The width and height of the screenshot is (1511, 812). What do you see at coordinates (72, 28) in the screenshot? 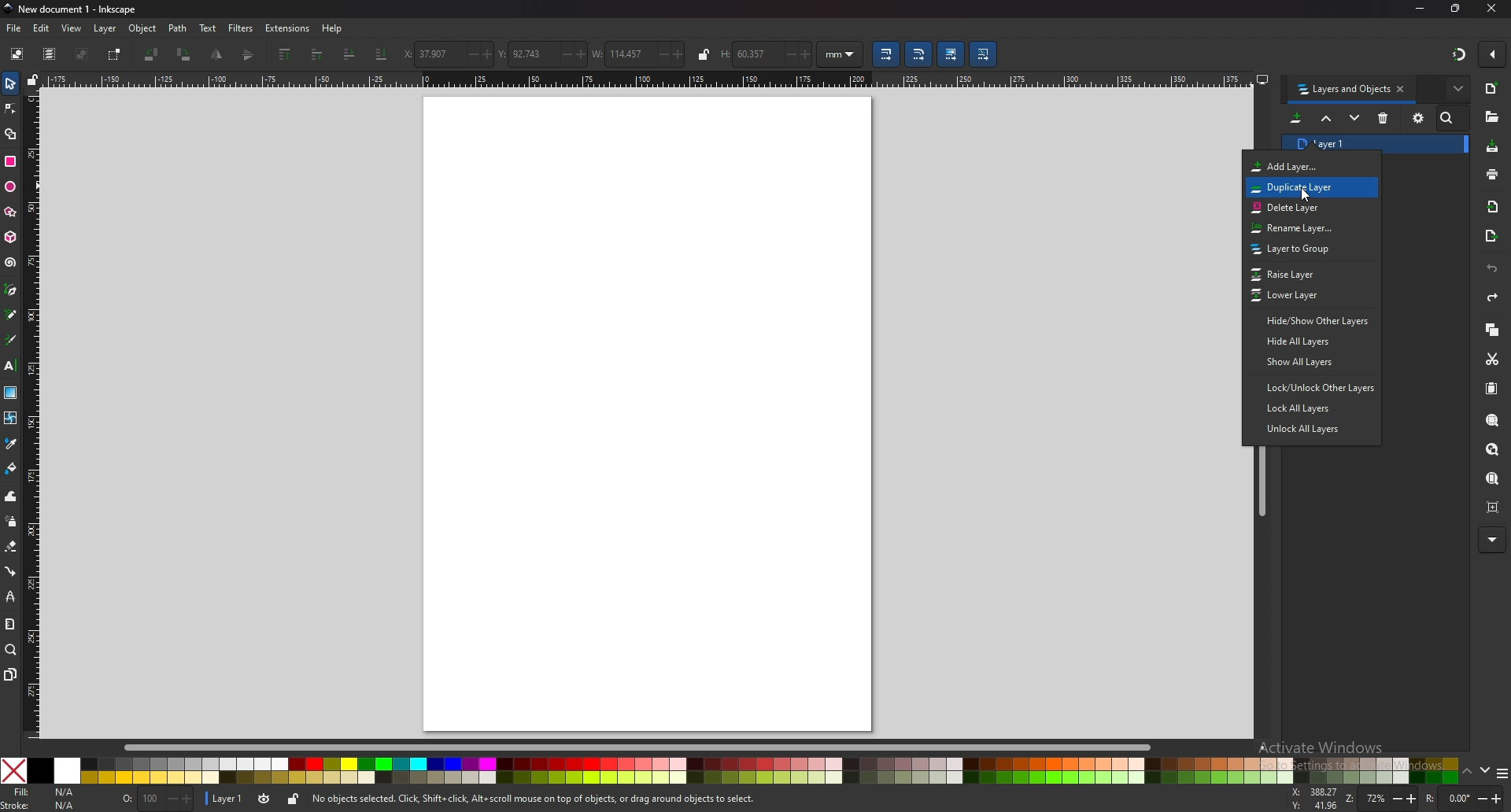
I see `view` at bounding box center [72, 28].